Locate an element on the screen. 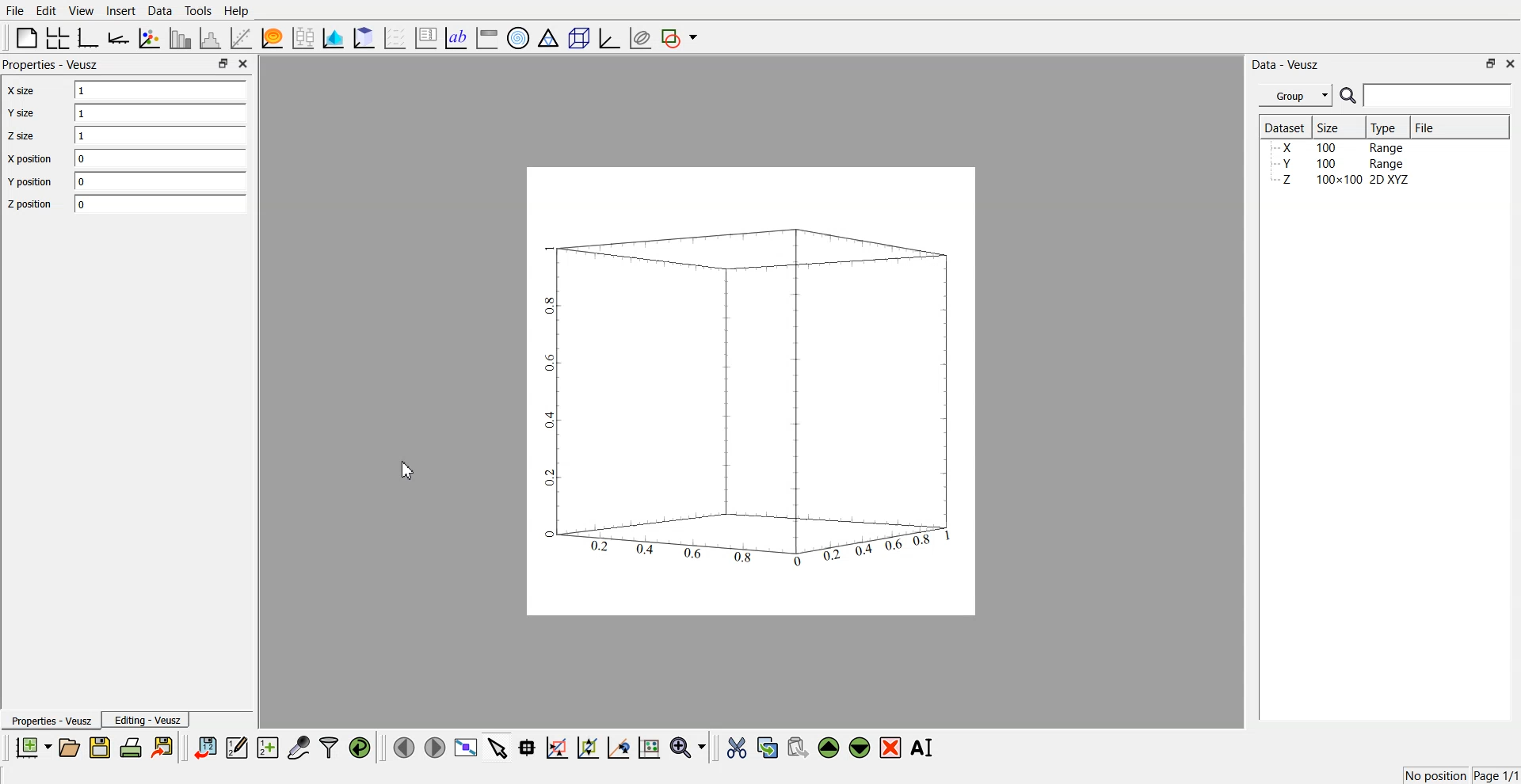 This screenshot has width=1521, height=784. Maximize is located at coordinates (223, 63).